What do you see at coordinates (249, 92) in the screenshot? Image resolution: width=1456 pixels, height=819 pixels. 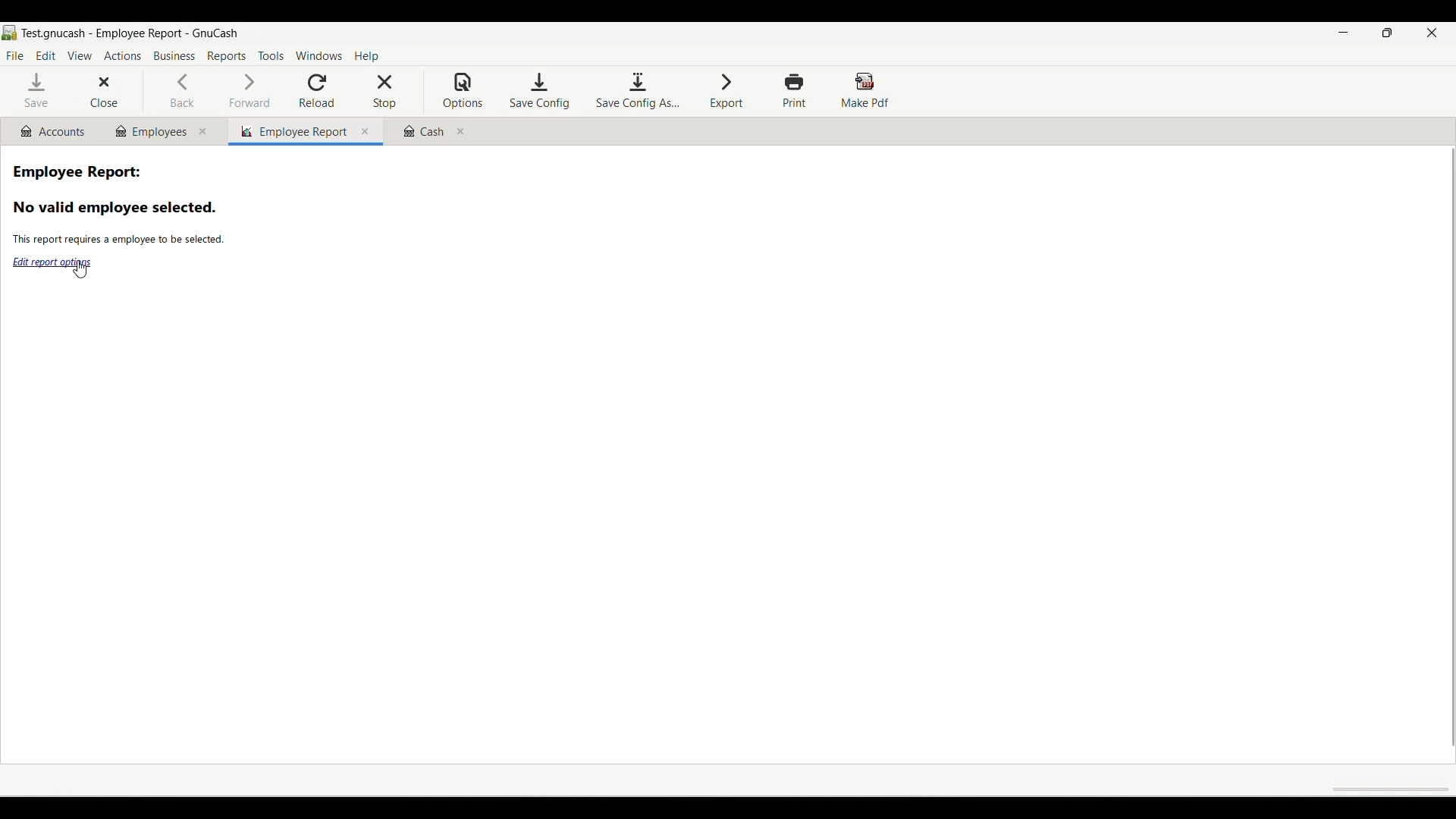 I see `Forward` at bounding box center [249, 92].